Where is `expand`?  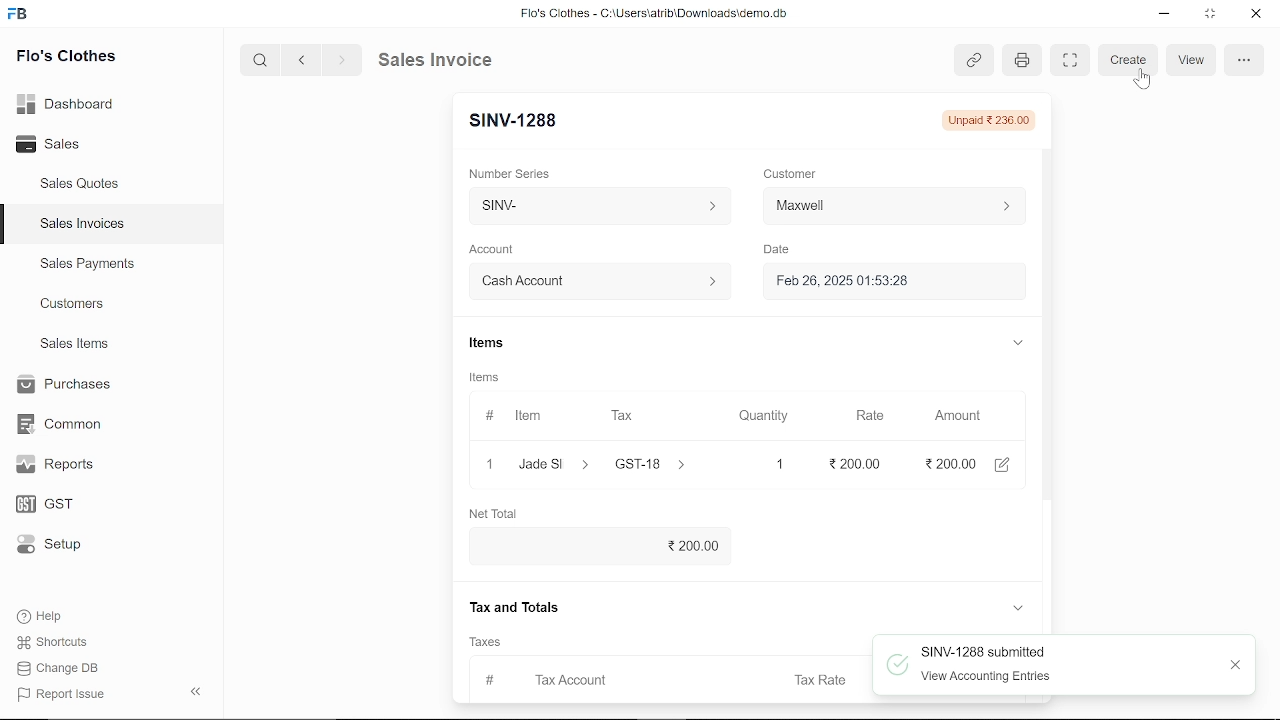 expand is located at coordinates (1018, 609).